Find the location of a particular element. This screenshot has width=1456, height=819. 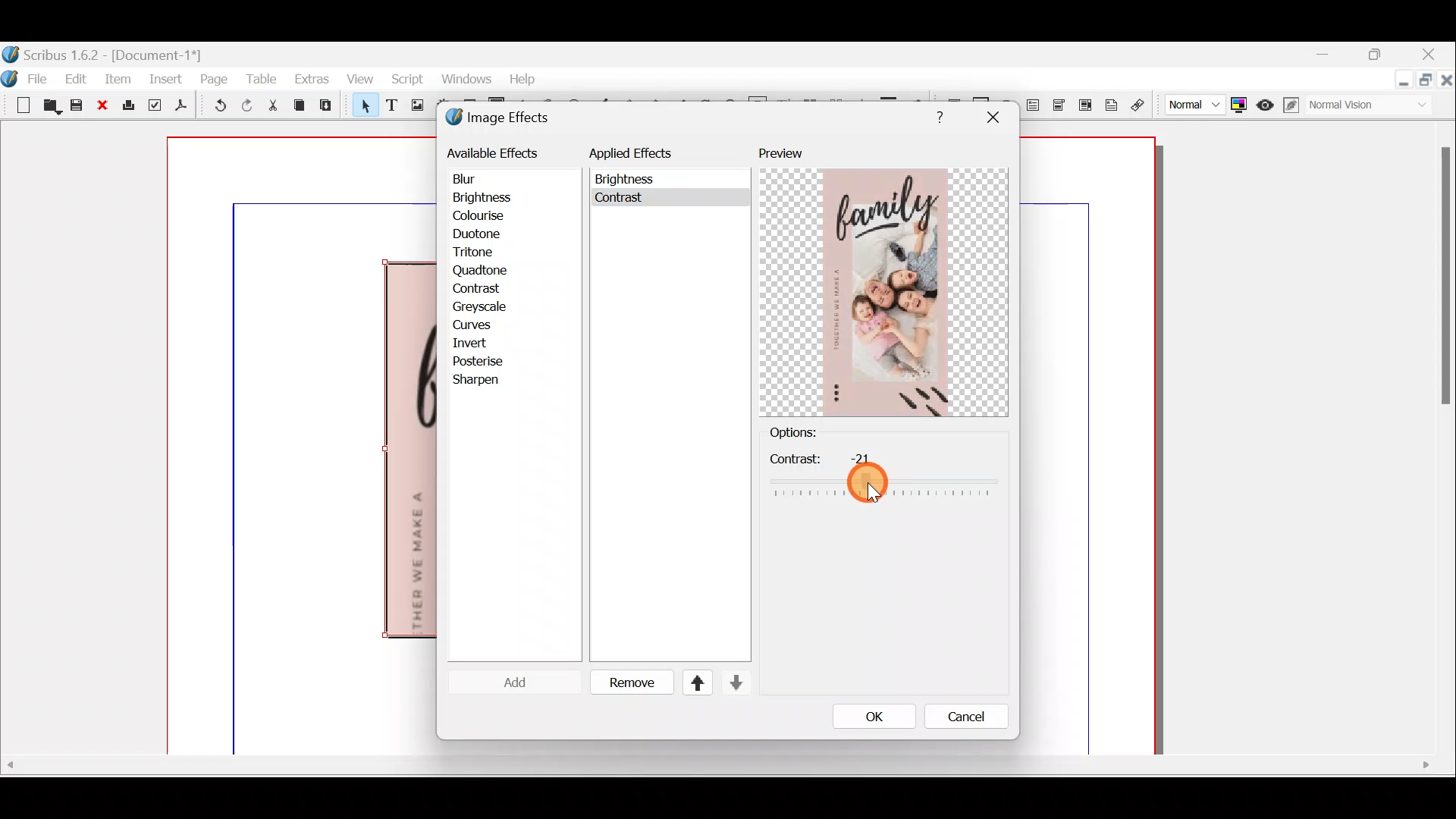

Maximise is located at coordinates (1427, 81).